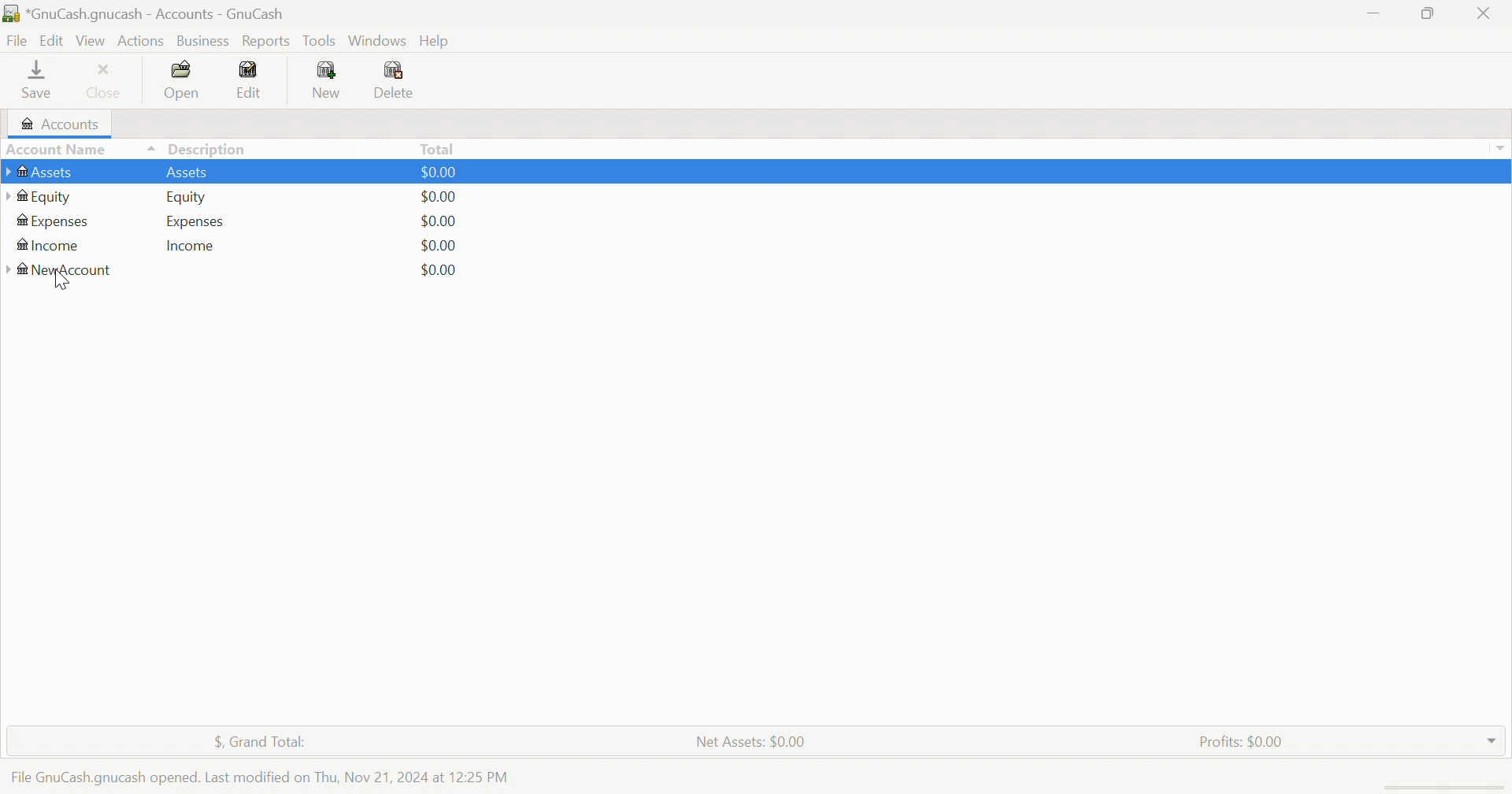 This screenshot has width=1512, height=794. Describe the element at coordinates (325, 79) in the screenshot. I see `New` at that location.